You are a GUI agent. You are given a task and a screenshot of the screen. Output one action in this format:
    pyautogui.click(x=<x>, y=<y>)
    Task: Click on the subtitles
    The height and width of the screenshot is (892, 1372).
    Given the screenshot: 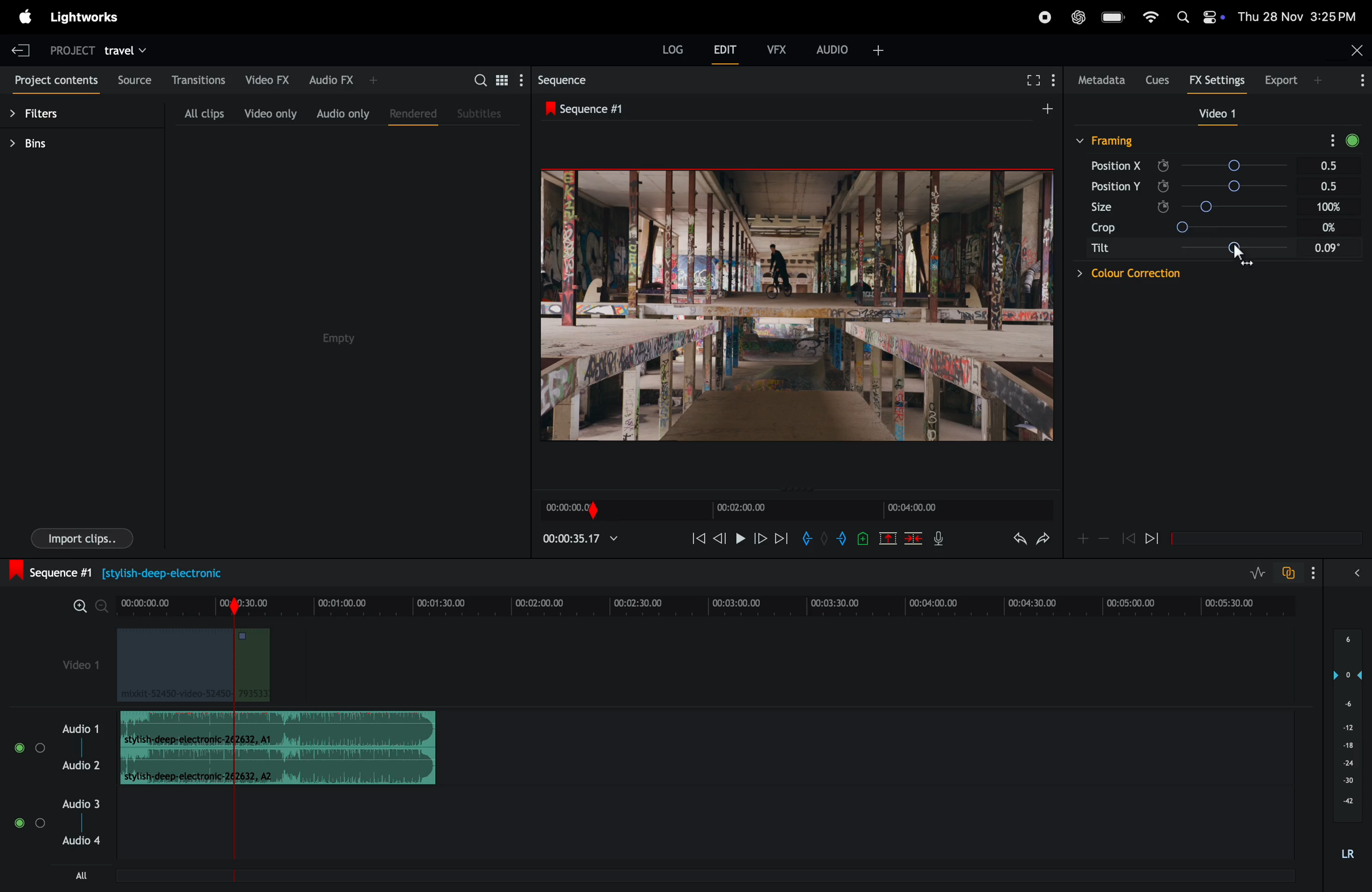 What is the action you would take?
    pyautogui.click(x=483, y=112)
    